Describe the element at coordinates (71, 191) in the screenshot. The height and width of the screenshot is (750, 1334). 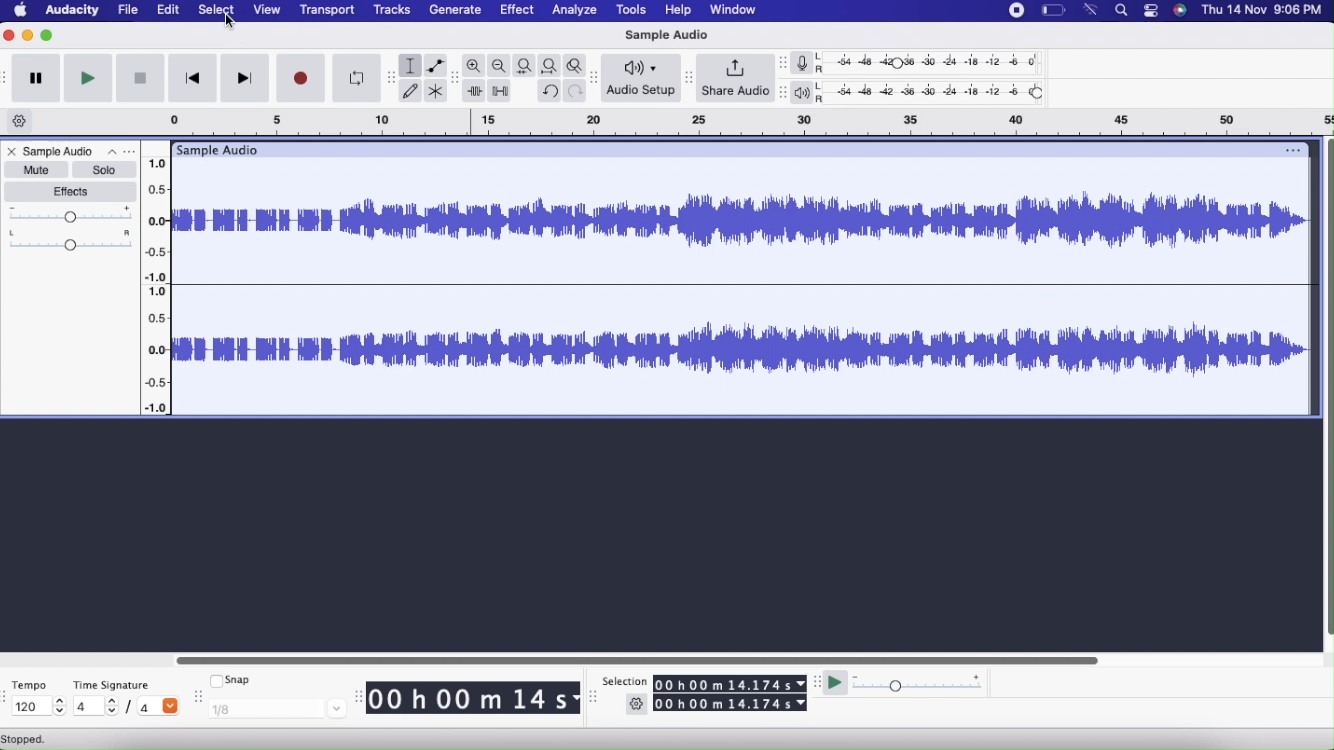
I see `Effects` at that location.